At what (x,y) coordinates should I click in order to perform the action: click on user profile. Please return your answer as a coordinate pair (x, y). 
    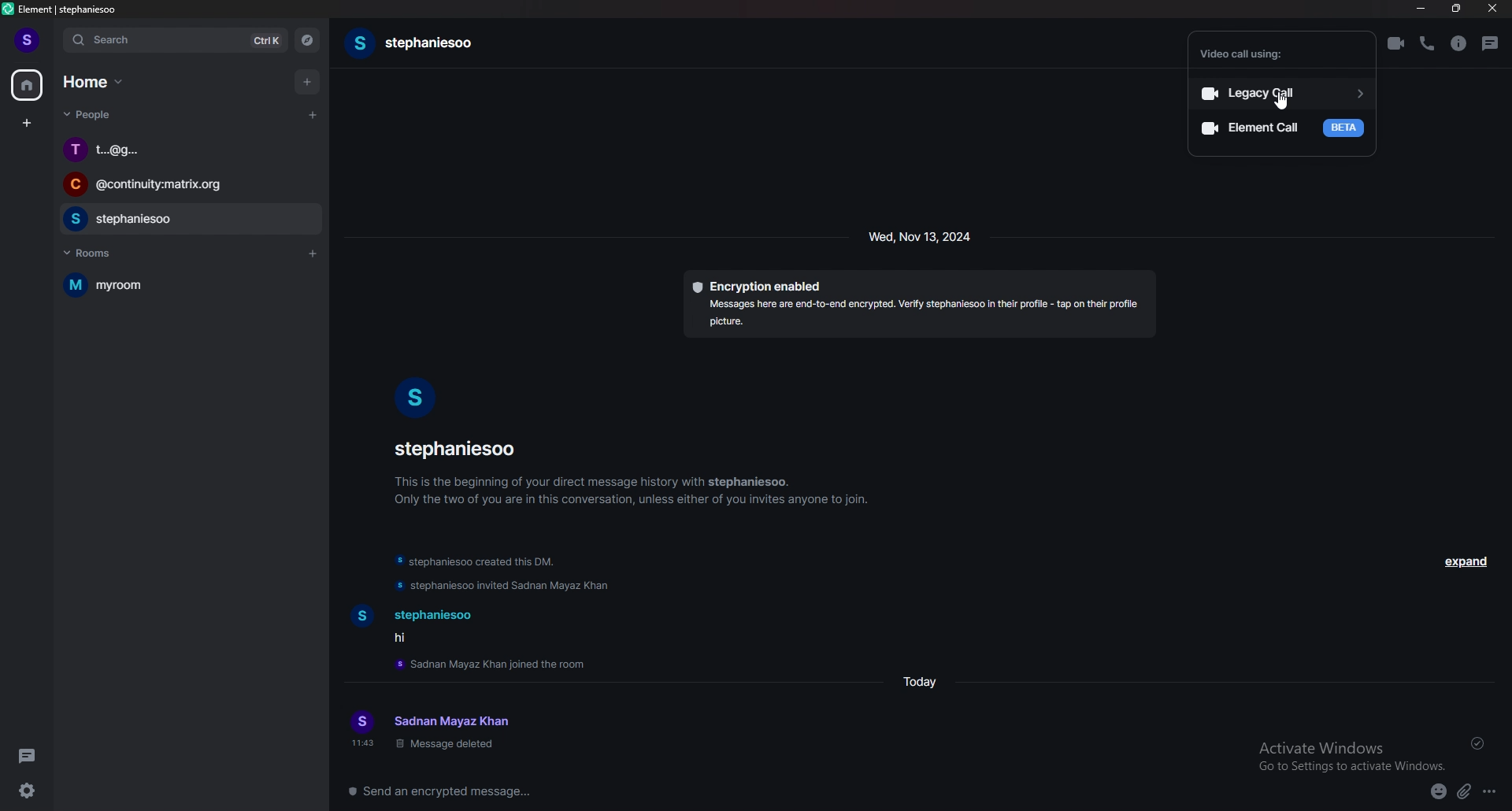
    Looking at the image, I should click on (361, 720).